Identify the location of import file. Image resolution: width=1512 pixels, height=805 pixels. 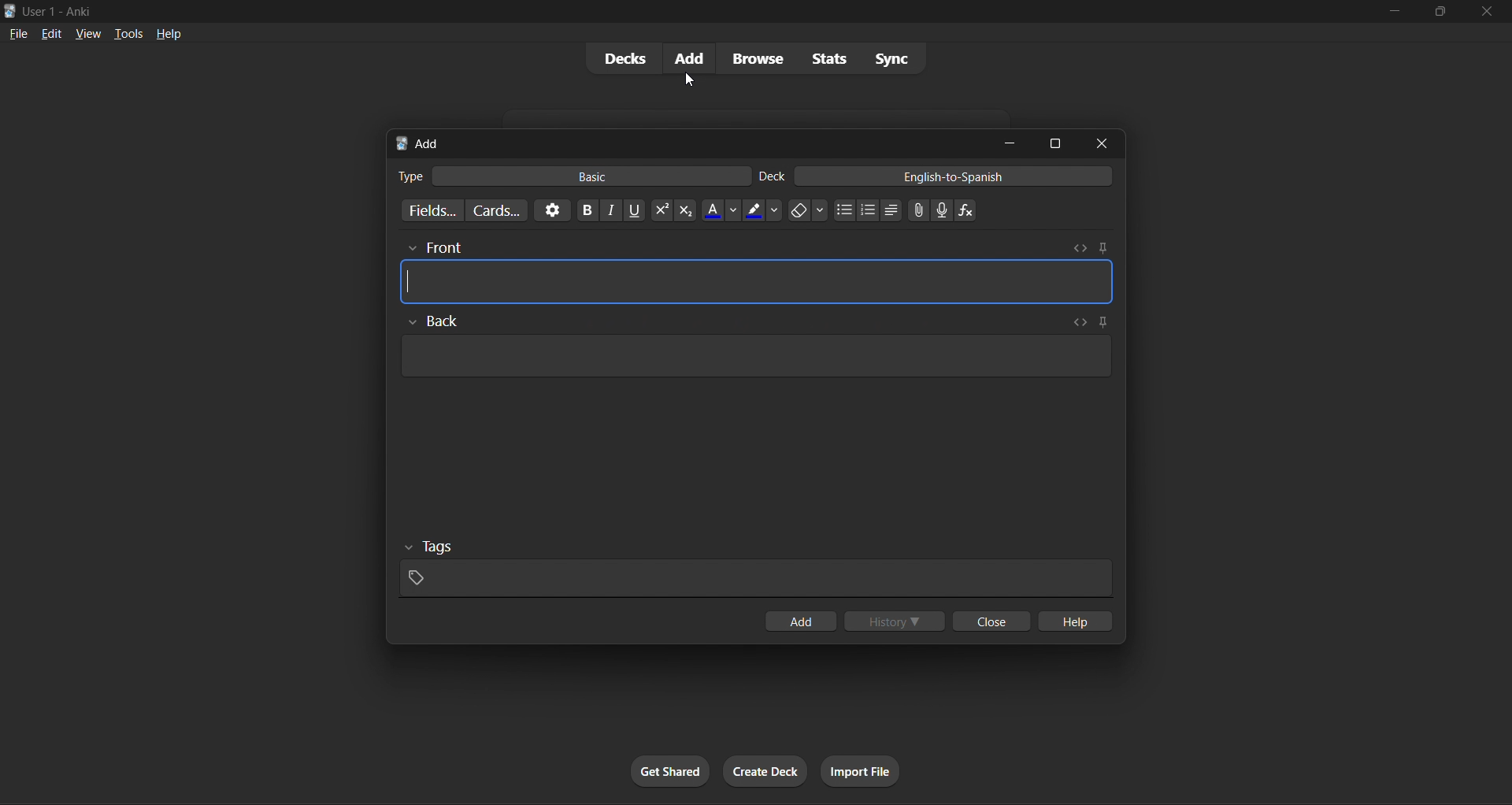
(863, 770).